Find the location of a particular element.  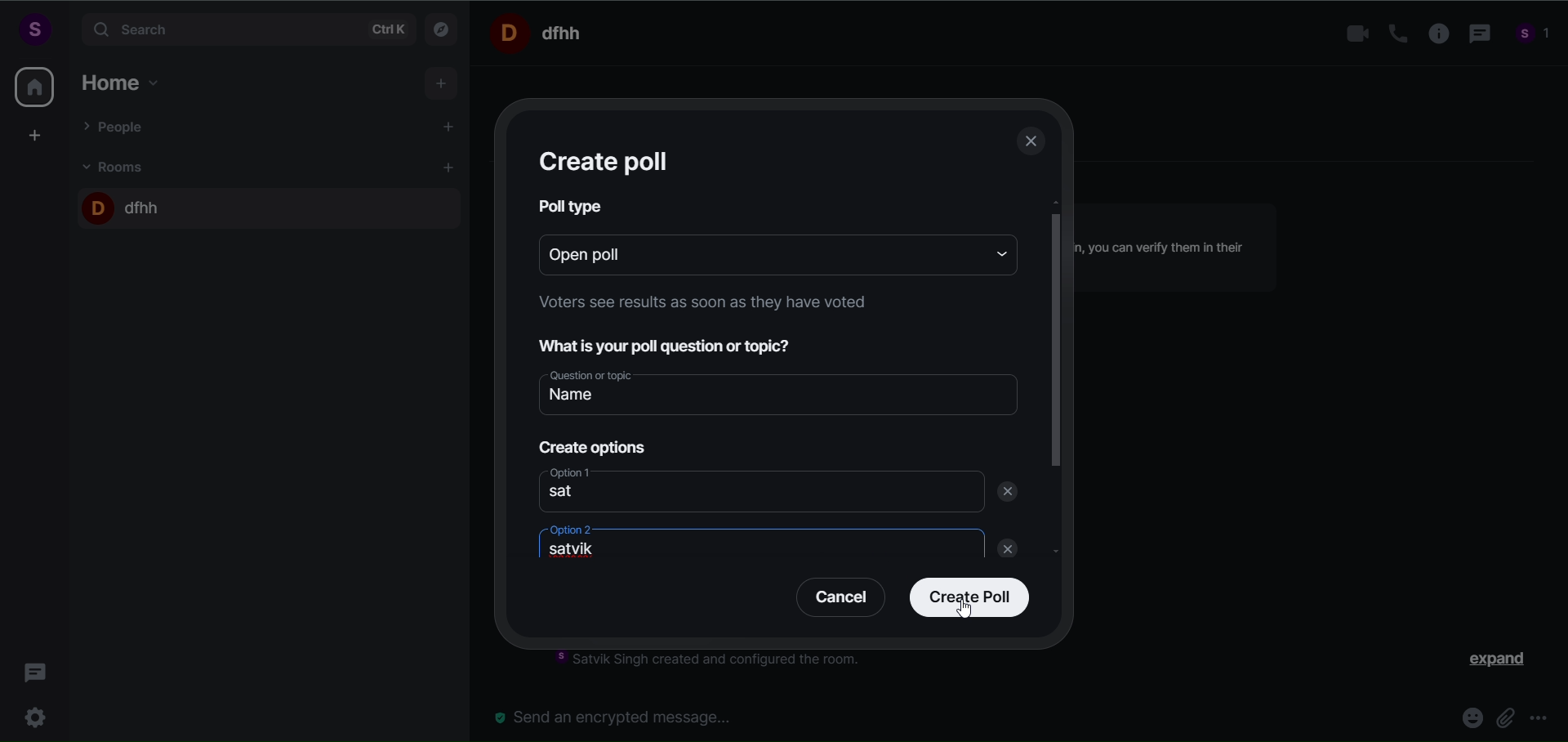

poll type is located at coordinates (573, 212).